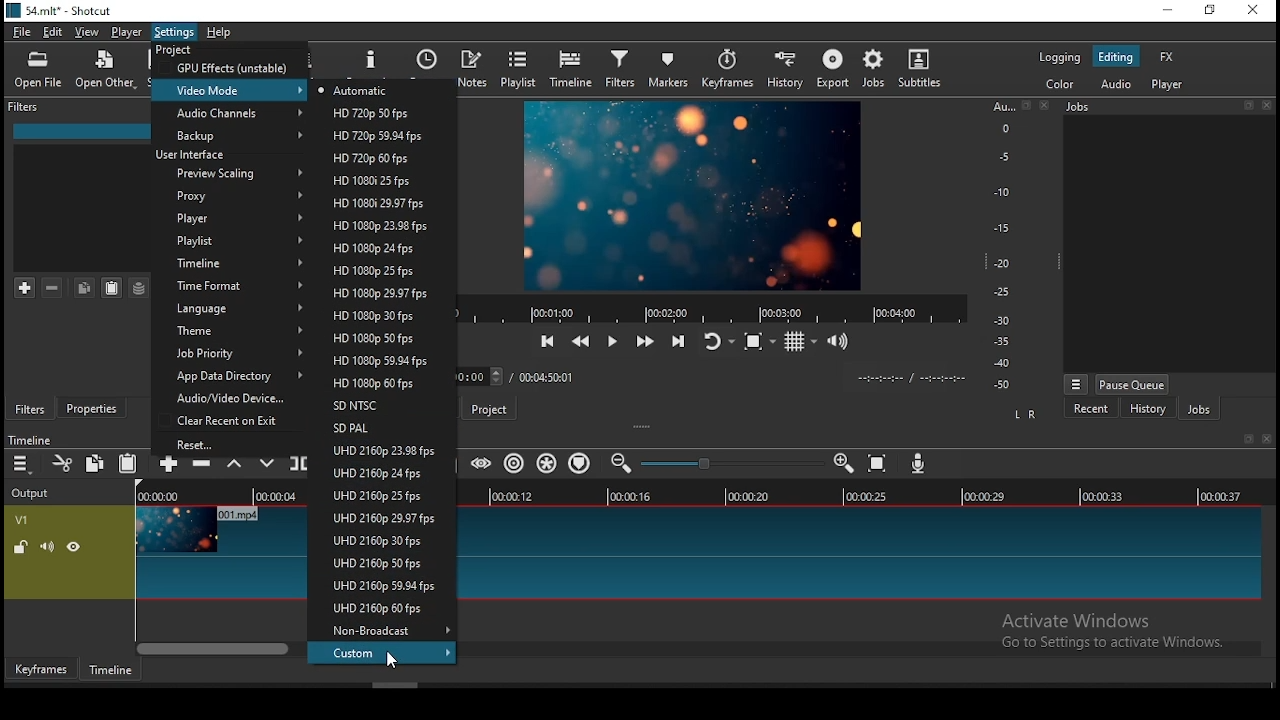  I want to click on overwrite, so click(268, 466).